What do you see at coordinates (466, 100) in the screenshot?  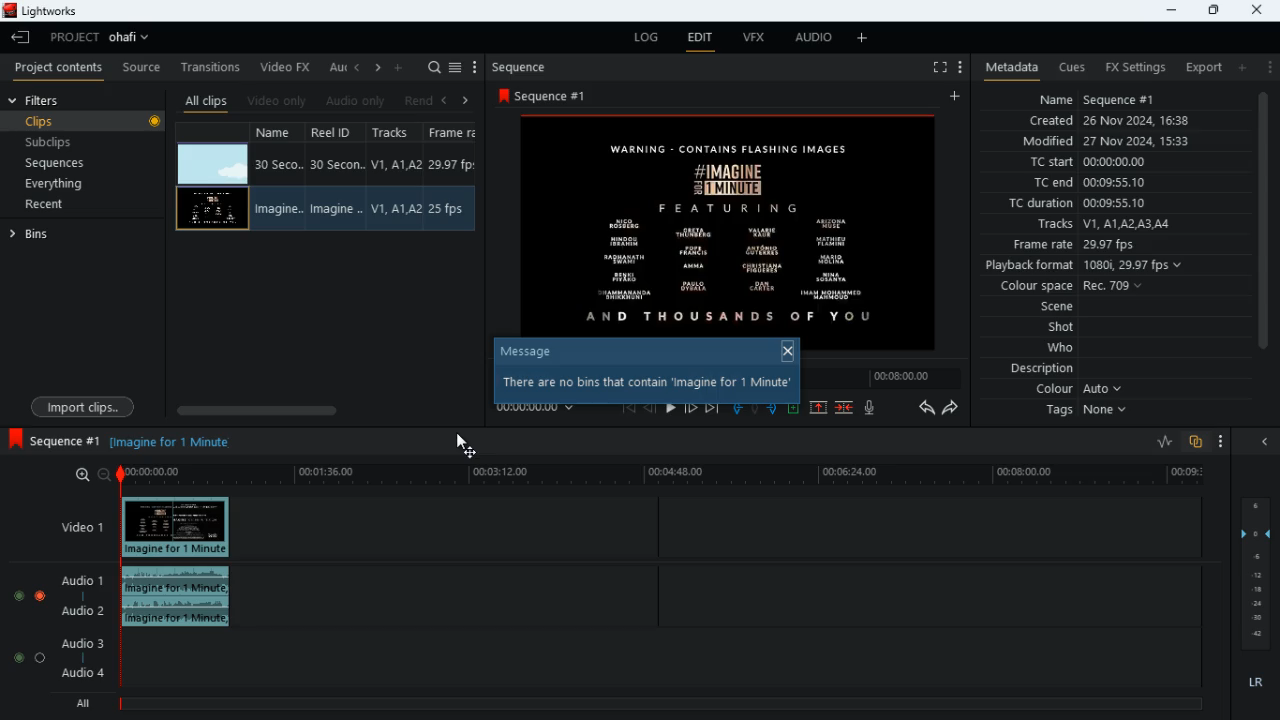 I see `right` at bounding box center [466, 100].